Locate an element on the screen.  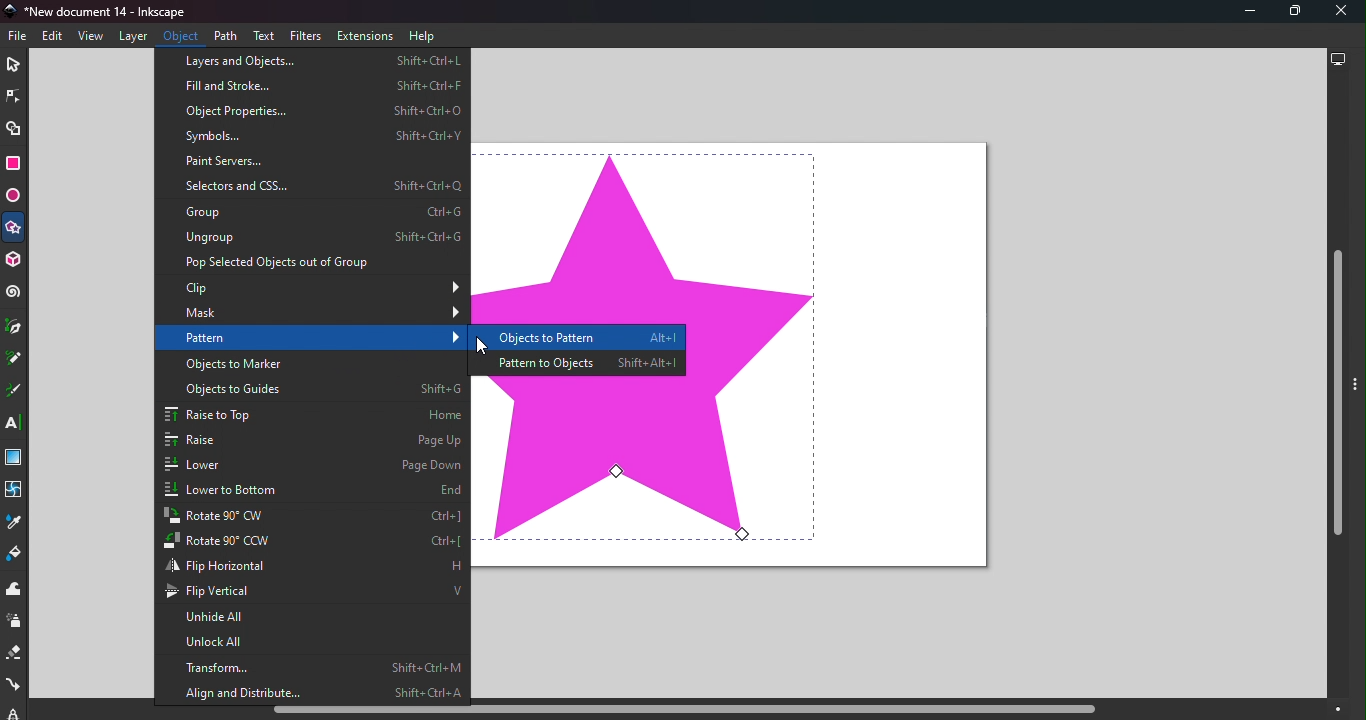
Filters is located at coordinates (306, 36).